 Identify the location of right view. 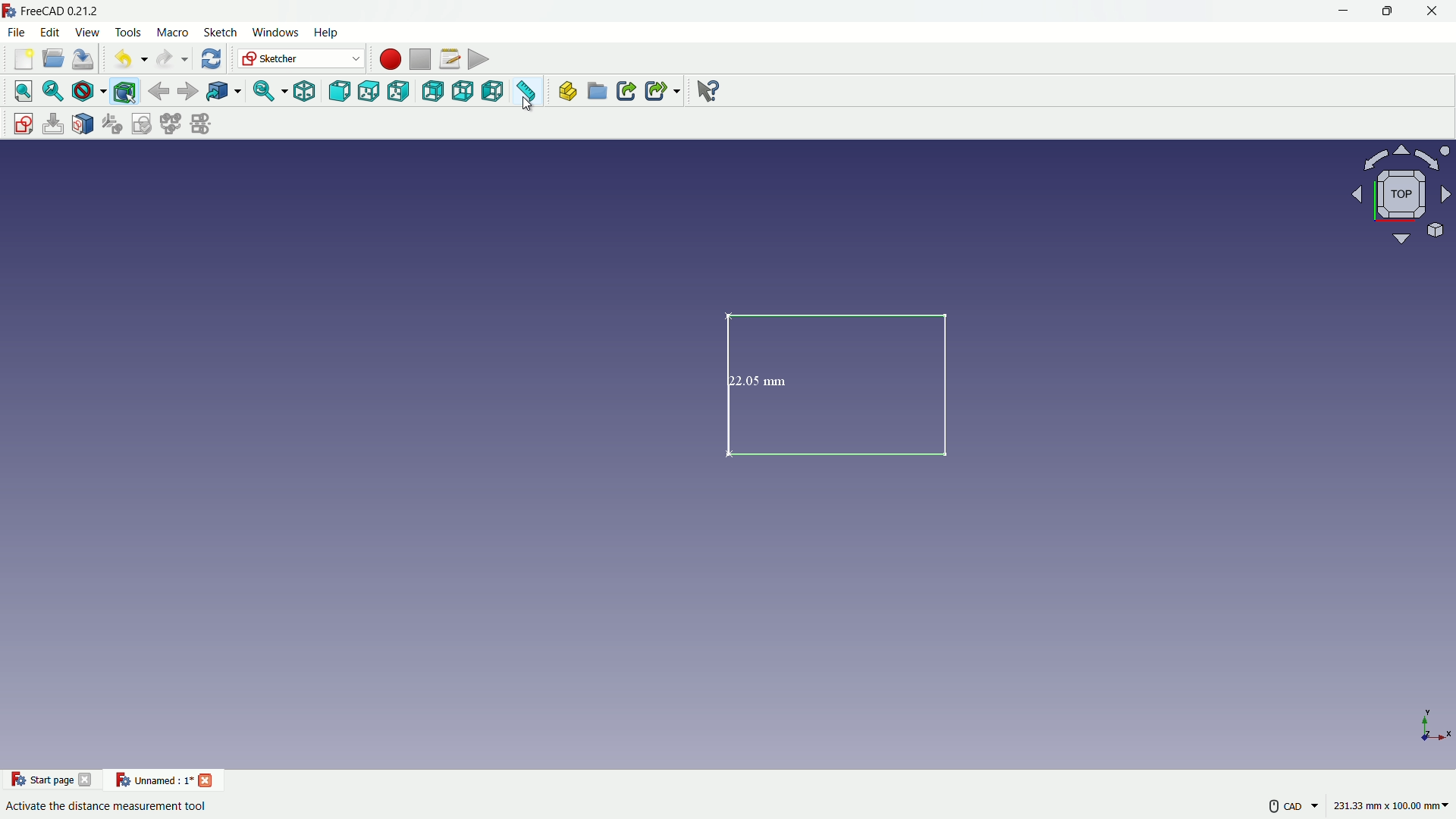
(401, 91).